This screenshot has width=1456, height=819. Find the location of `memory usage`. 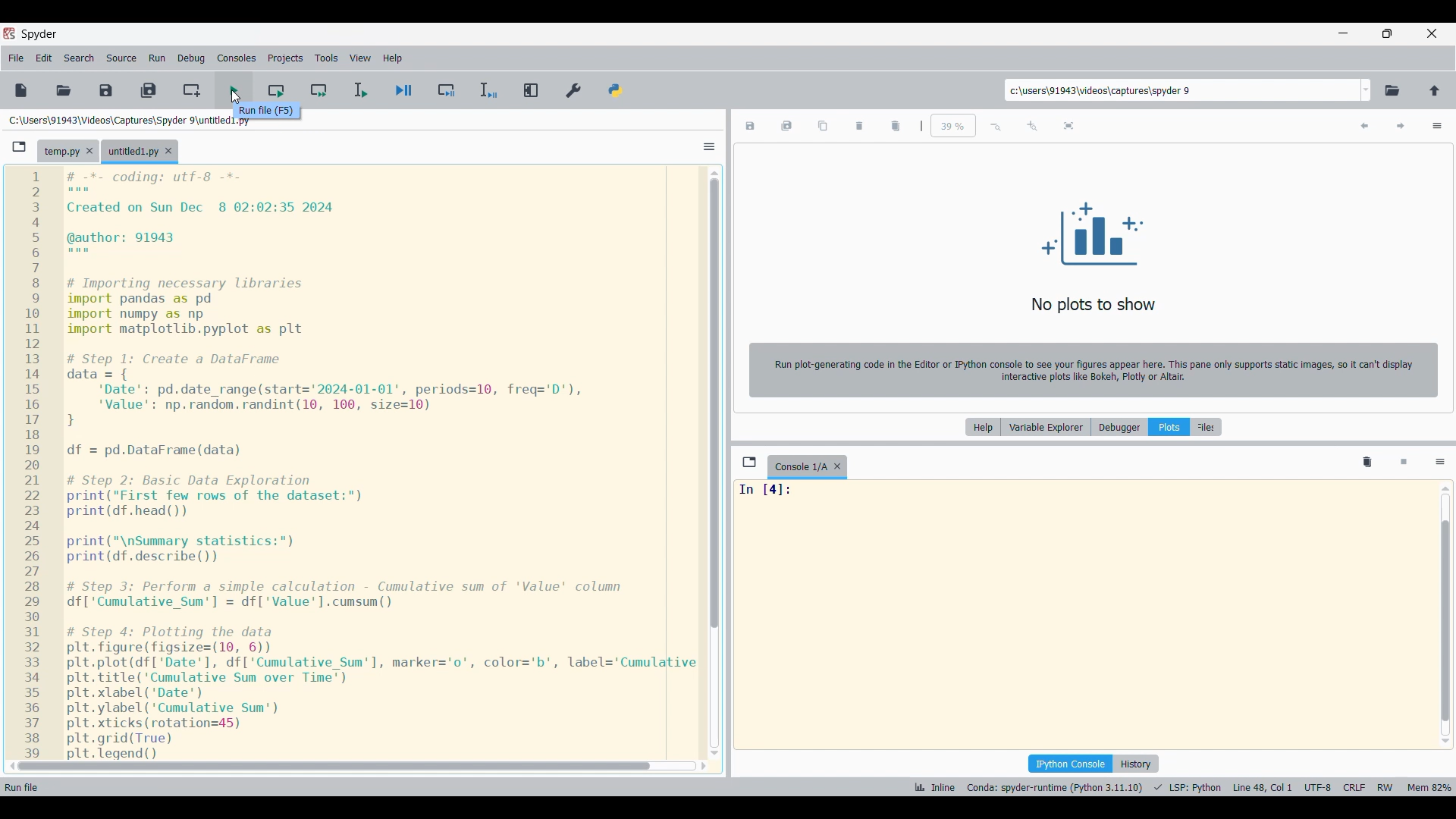

memory usage is located at coordinates (1429, 786).